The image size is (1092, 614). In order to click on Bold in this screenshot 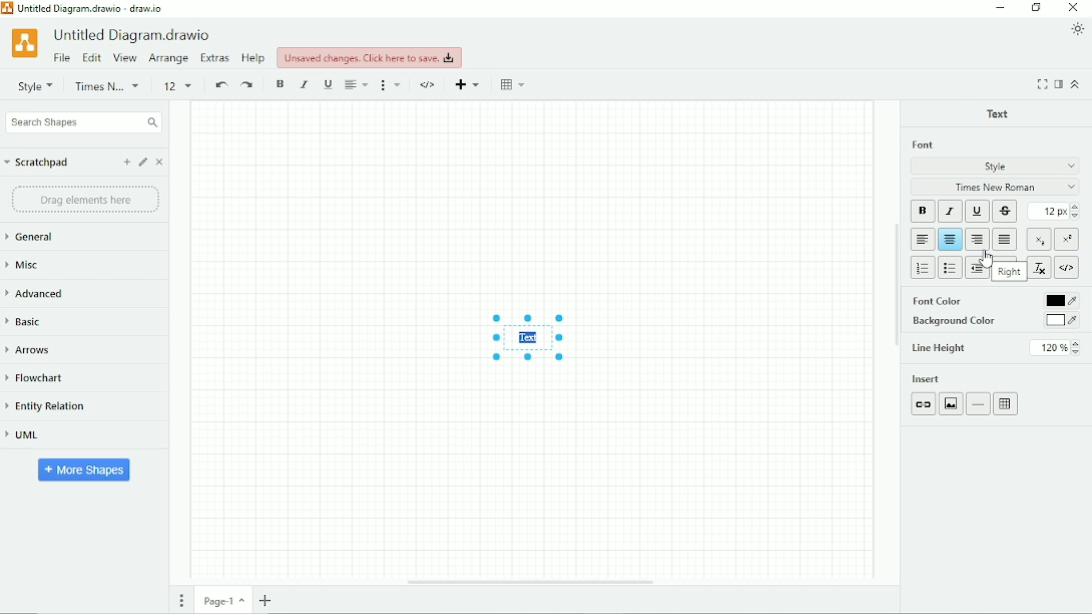, I will do `click(923, 212)`.